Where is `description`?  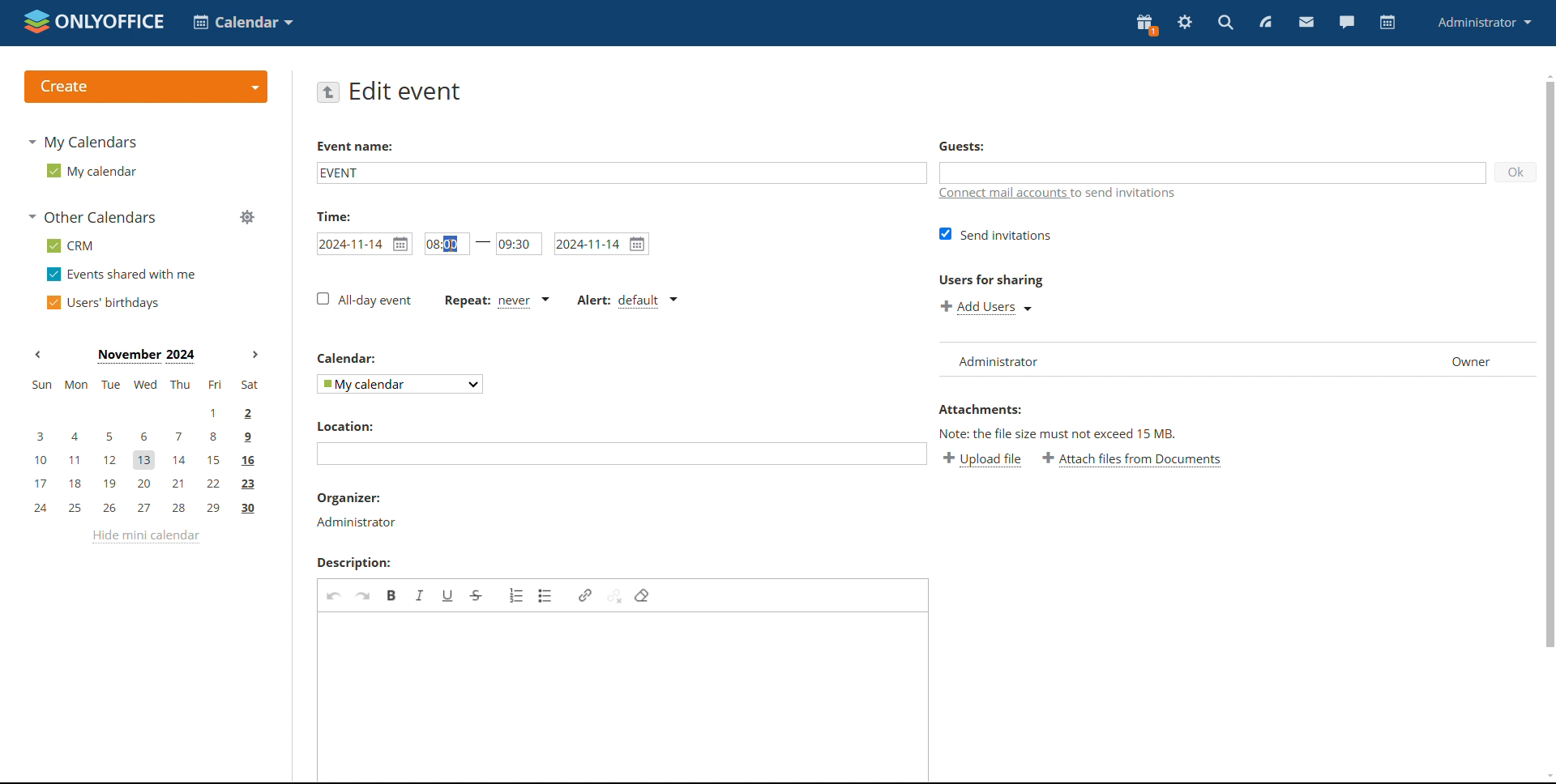
description is located at coordinates (354, 563).